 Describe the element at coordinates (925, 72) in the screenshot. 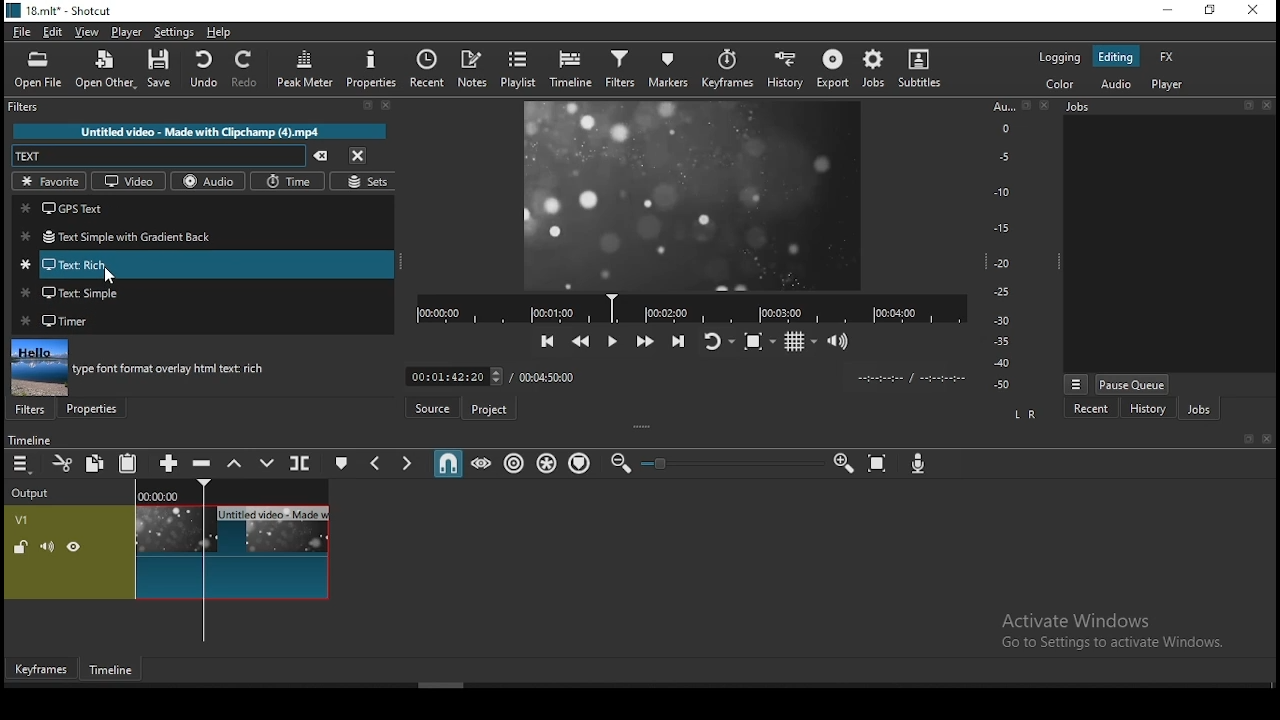

I see `subtitles` at that location.